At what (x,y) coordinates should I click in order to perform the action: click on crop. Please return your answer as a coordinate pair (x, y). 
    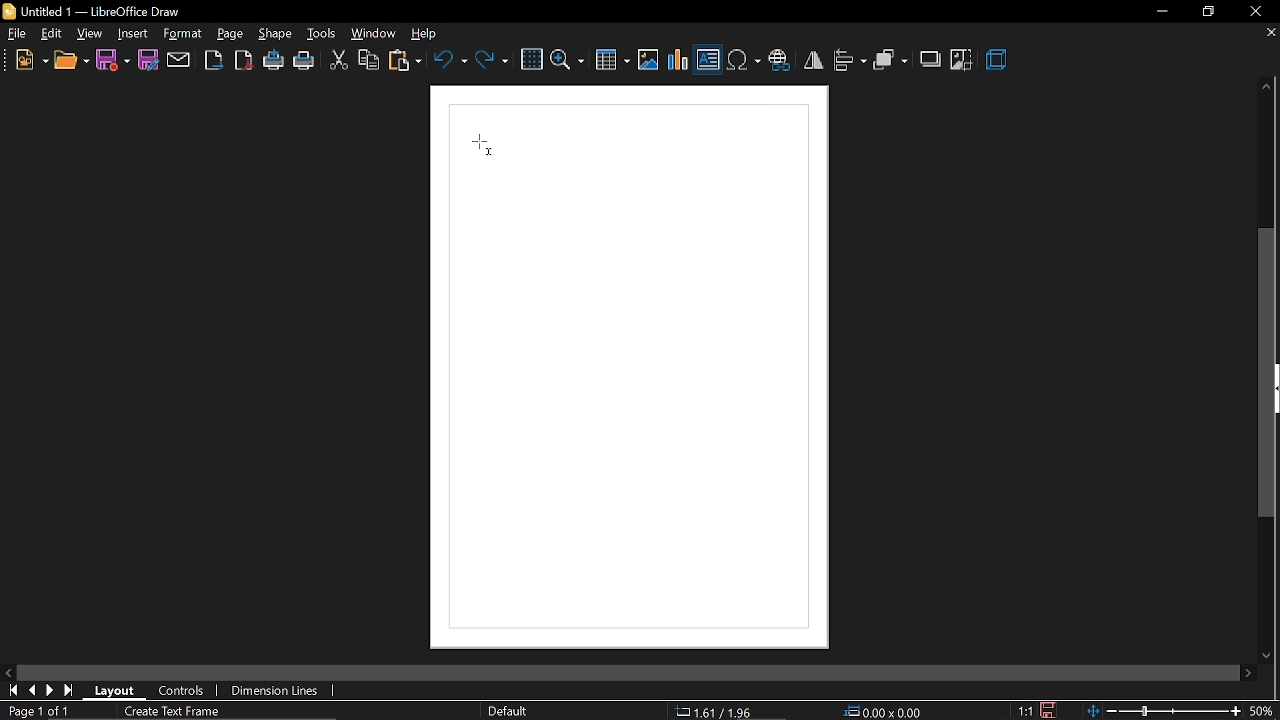
    Looking at the image, I should click on (962, 60).